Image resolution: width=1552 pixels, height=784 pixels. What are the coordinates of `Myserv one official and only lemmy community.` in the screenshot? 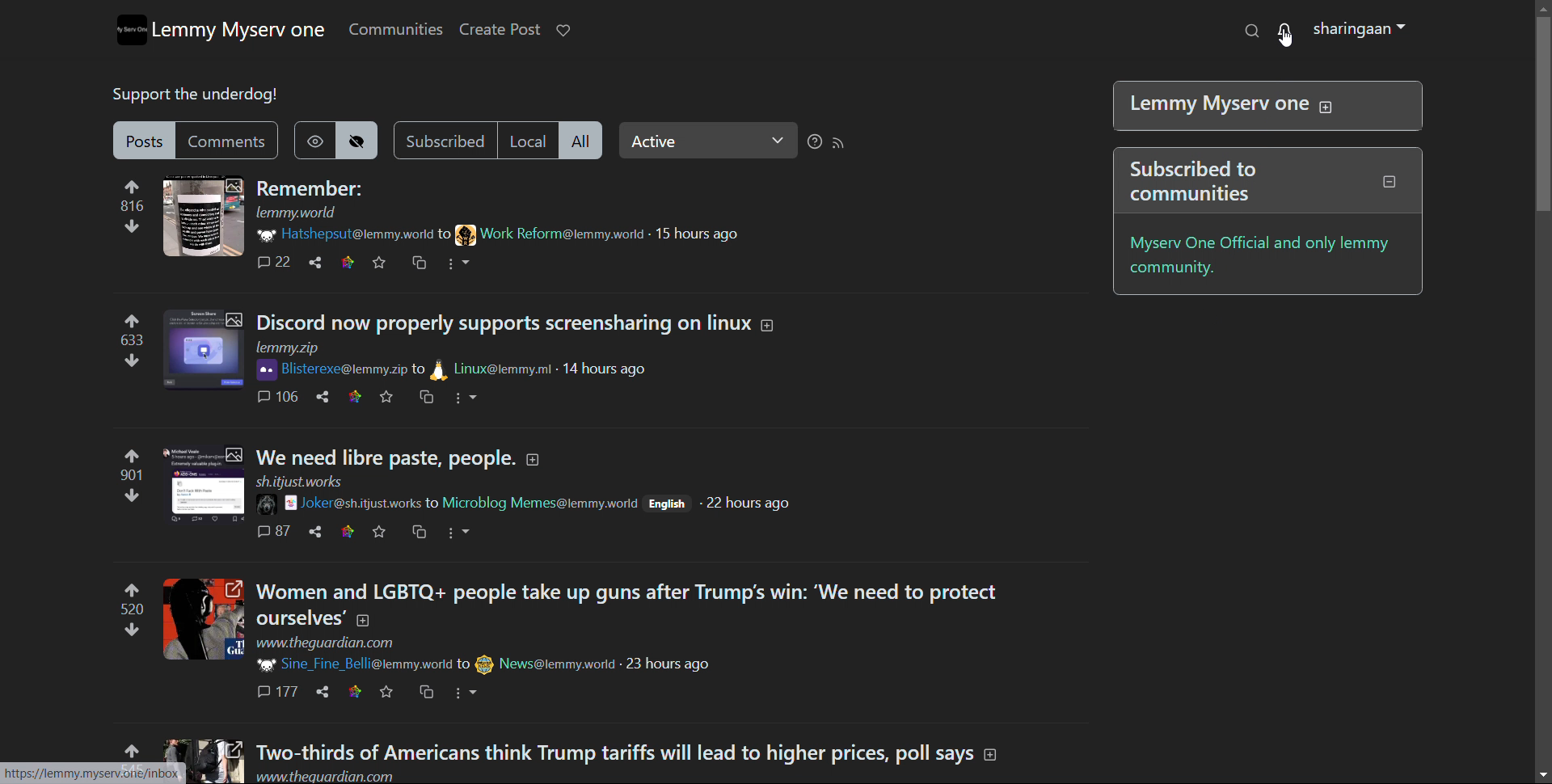 It's located at (1259, 257).